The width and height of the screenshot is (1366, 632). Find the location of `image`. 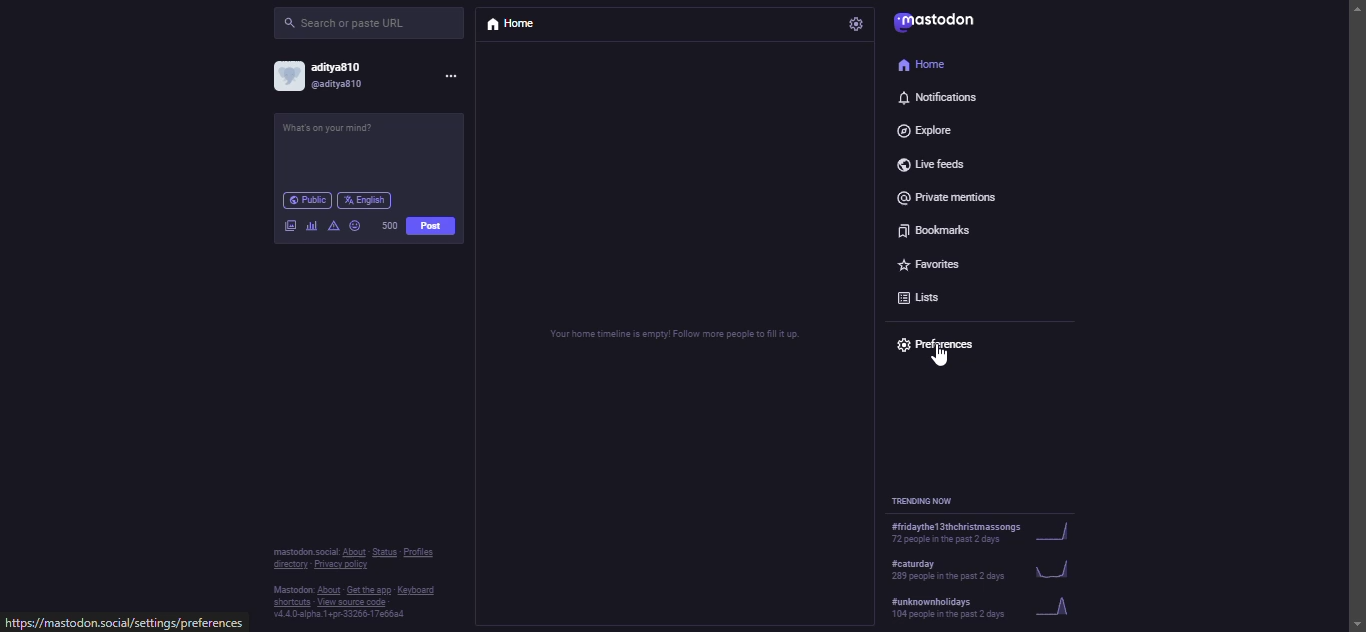

image is located at coordinates (287, 225).